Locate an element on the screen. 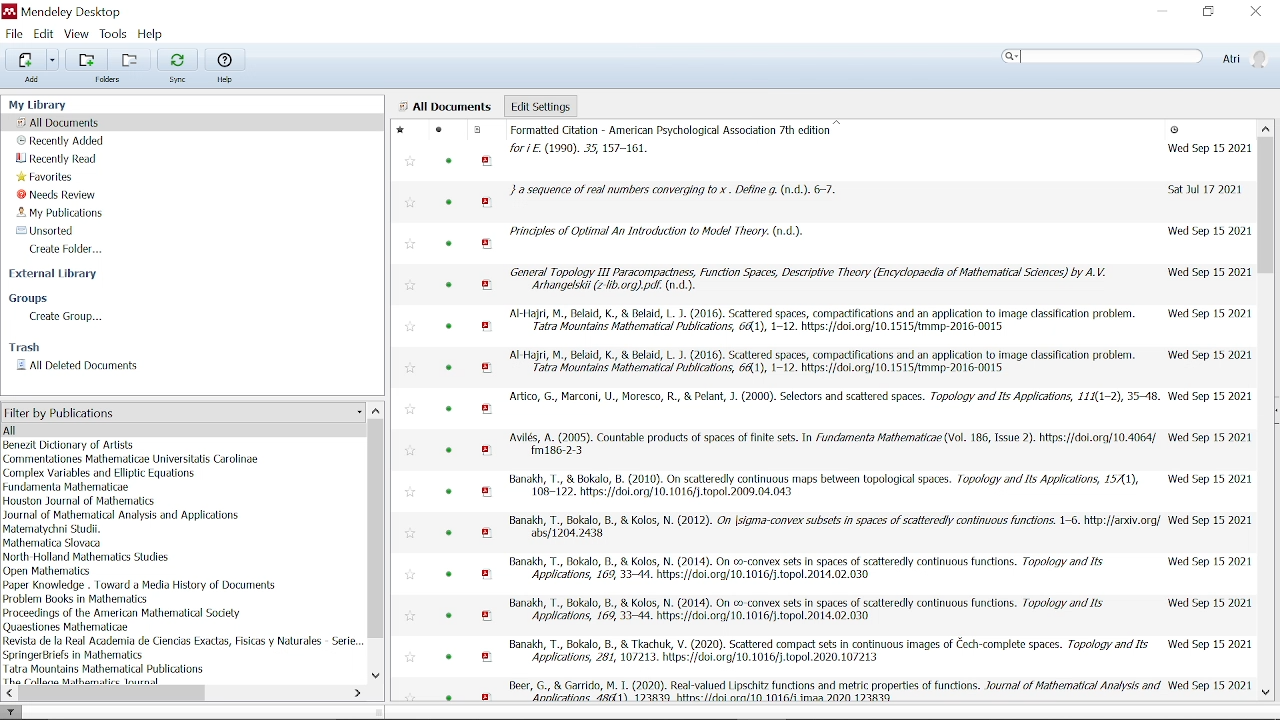 The height and width of the screenshot is (720, 1280). author is located at coordinates (141, 586).